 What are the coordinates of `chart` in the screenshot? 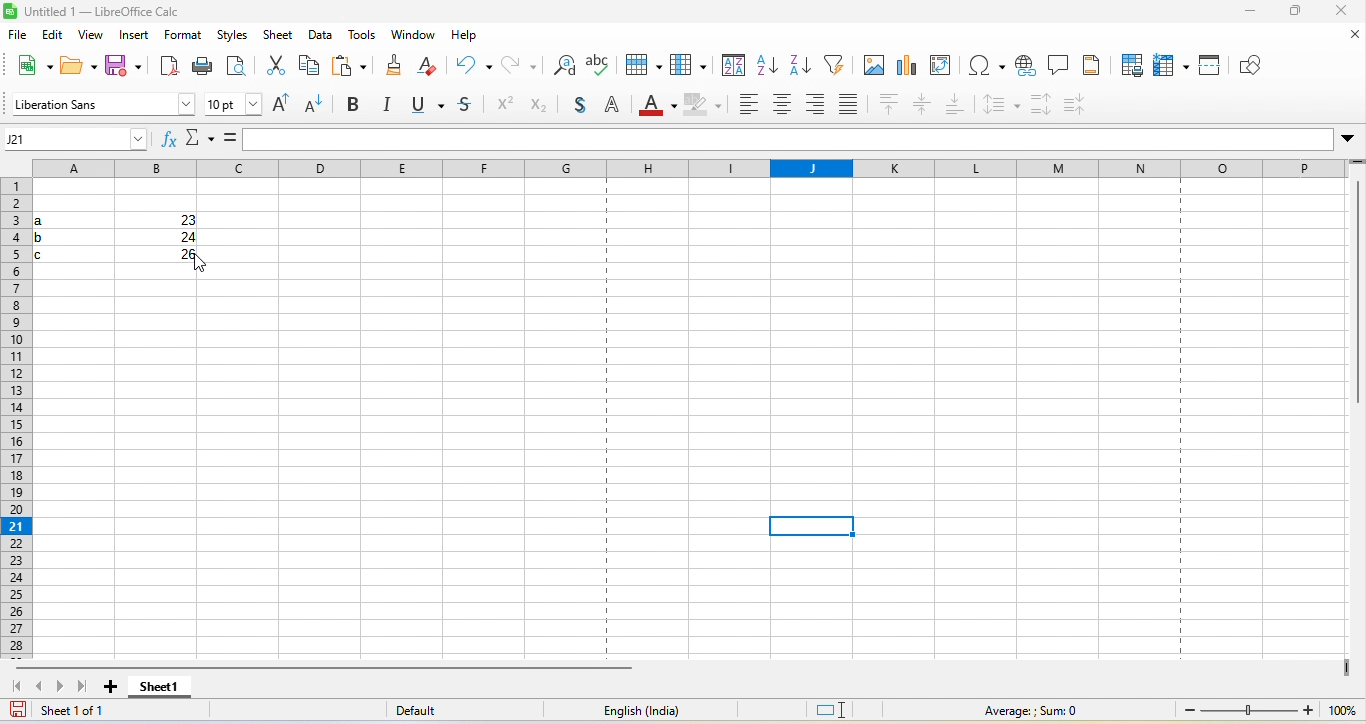 It's located at (907, 65).